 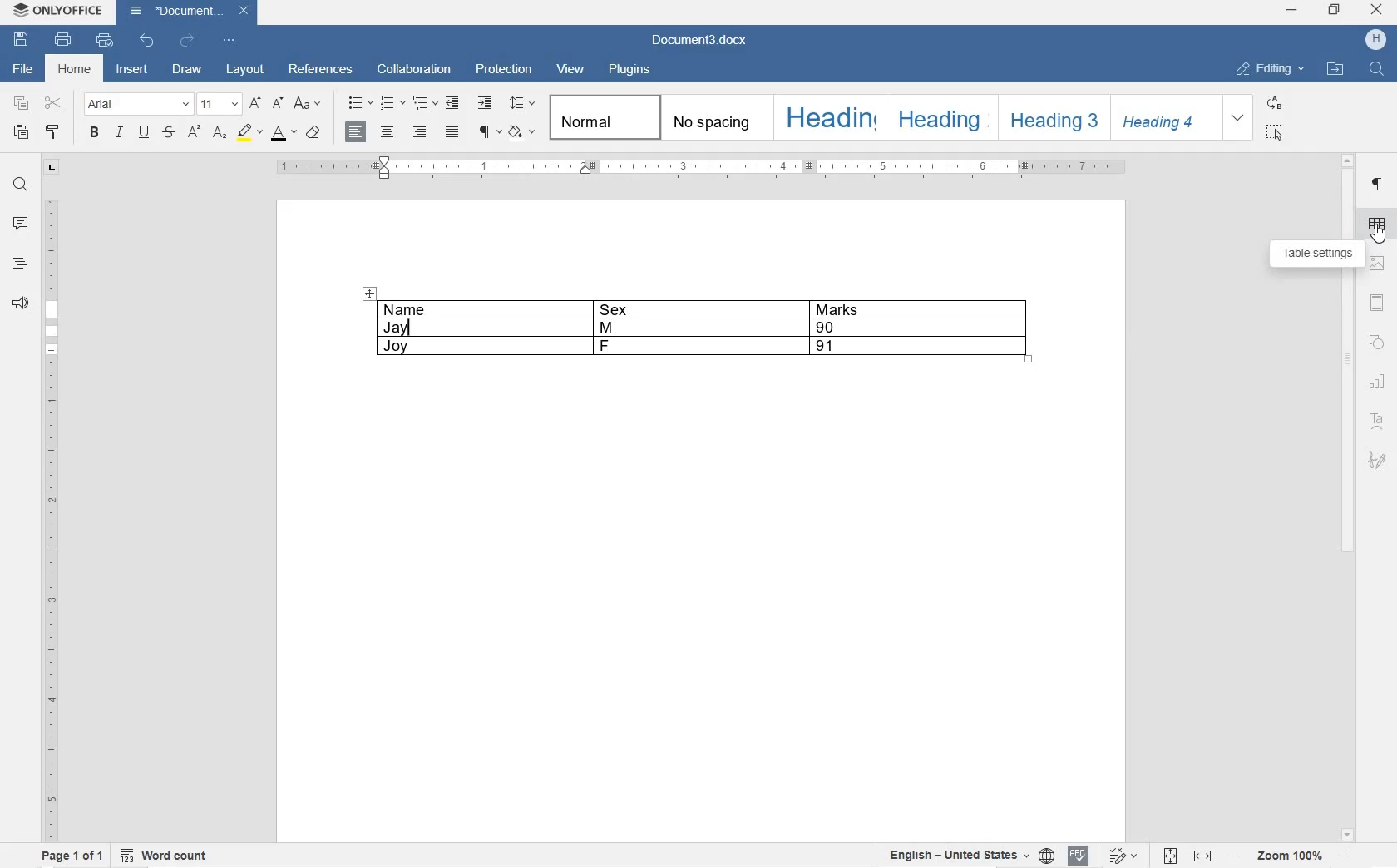 I want to click on UNDO, so click(x=147, y=42).